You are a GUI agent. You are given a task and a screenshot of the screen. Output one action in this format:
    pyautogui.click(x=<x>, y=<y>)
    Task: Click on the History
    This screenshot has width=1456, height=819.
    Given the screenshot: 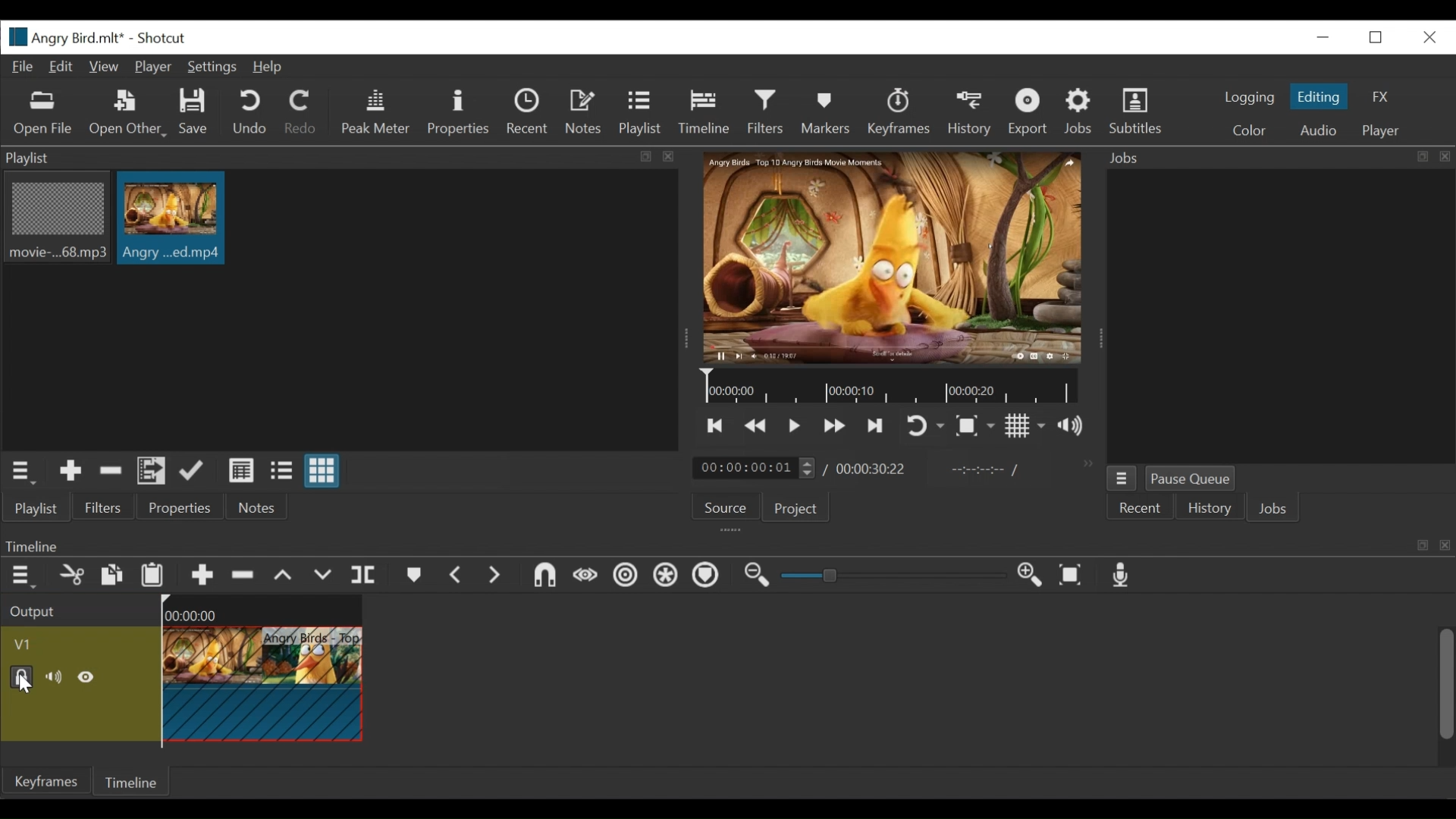 What is the action you would take?
    pyautogui.click(x=1208, y=507)
    